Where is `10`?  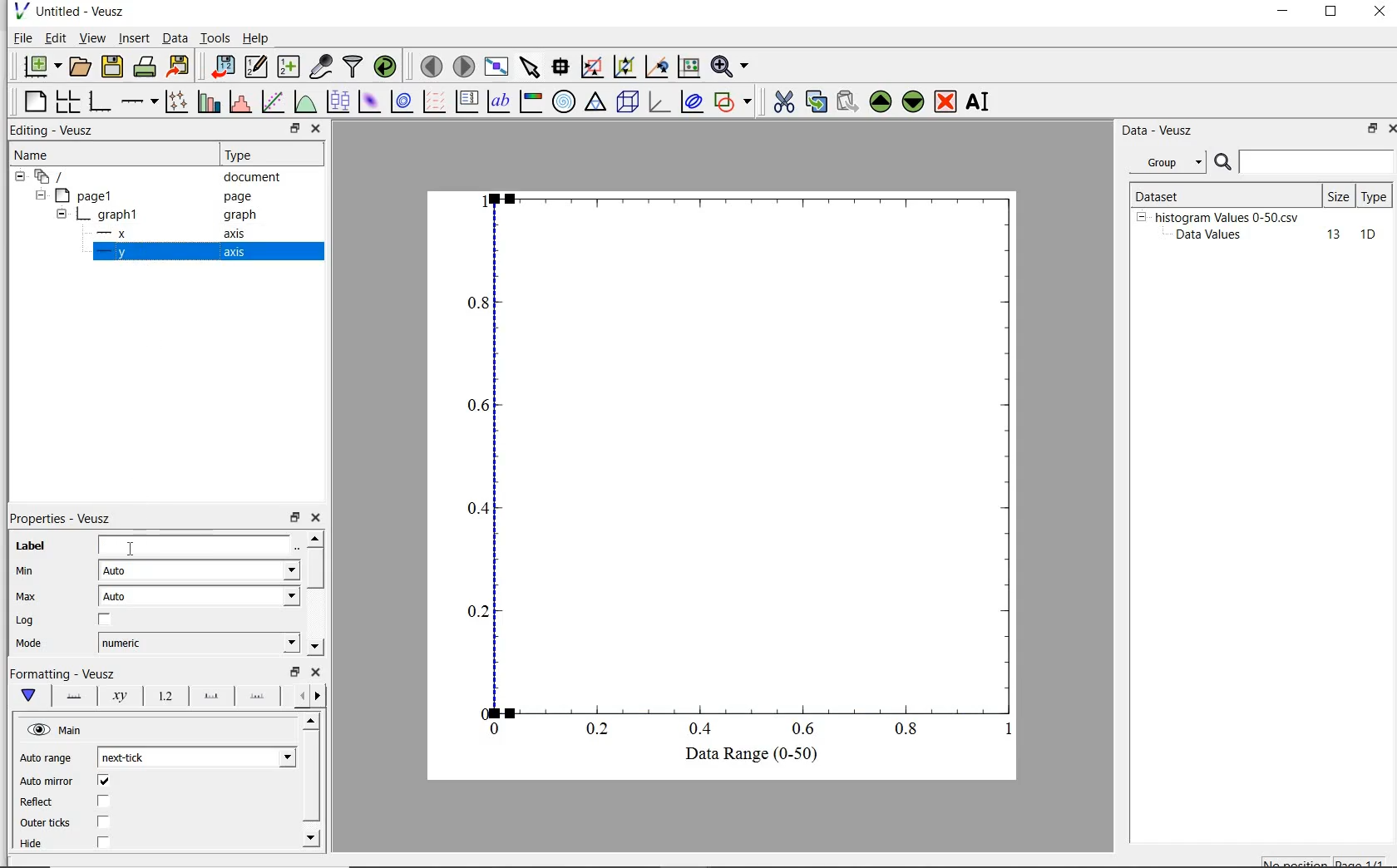
10 is located at coordinates (1368, 235).